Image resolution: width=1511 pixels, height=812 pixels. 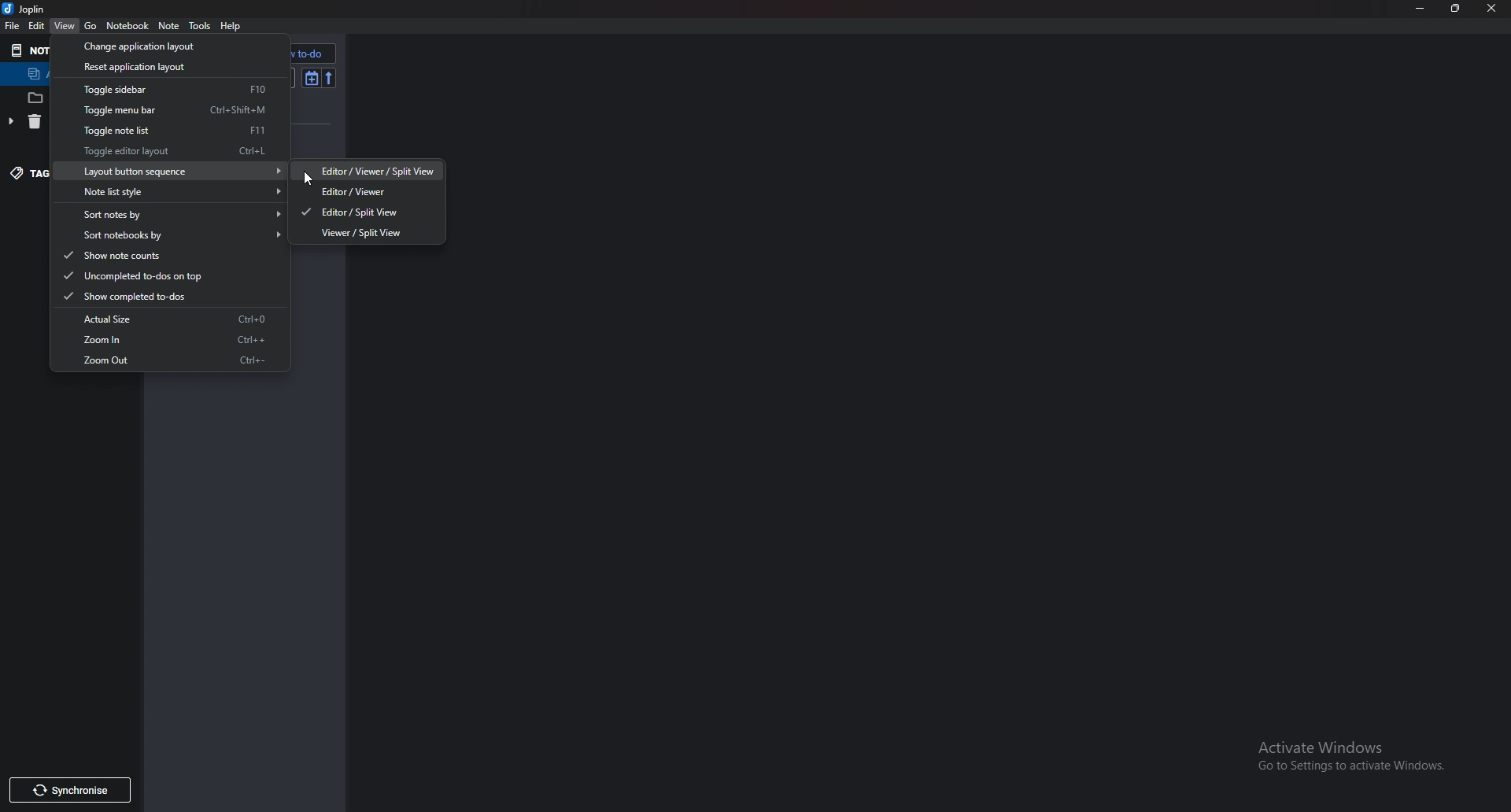 What do you see at coordinates (372, 191) in the screenshot?
I see `Editor/ viewer` at bounding box center [372, 191].